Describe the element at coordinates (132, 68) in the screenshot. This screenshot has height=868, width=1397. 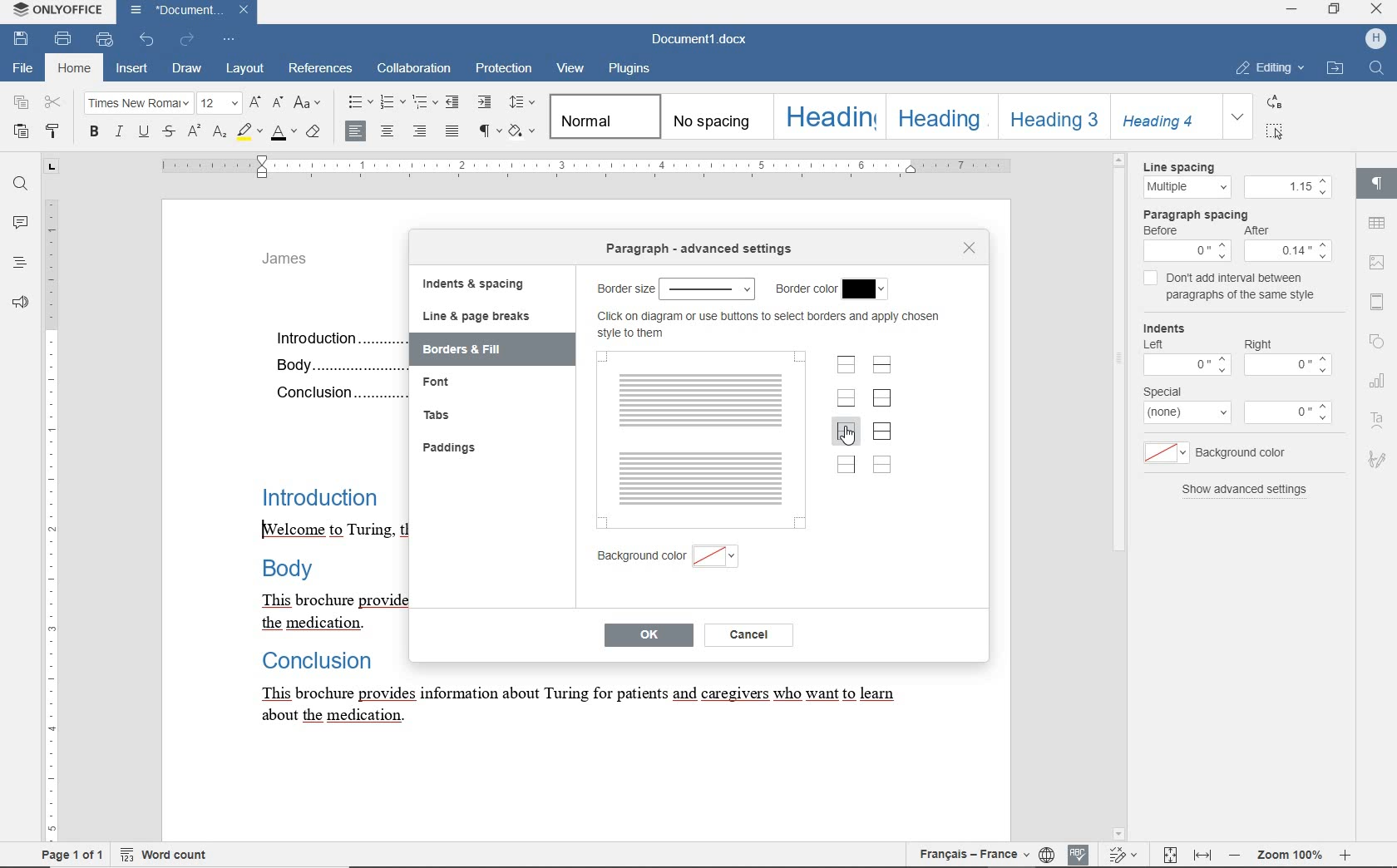
I see `insert` at that location.